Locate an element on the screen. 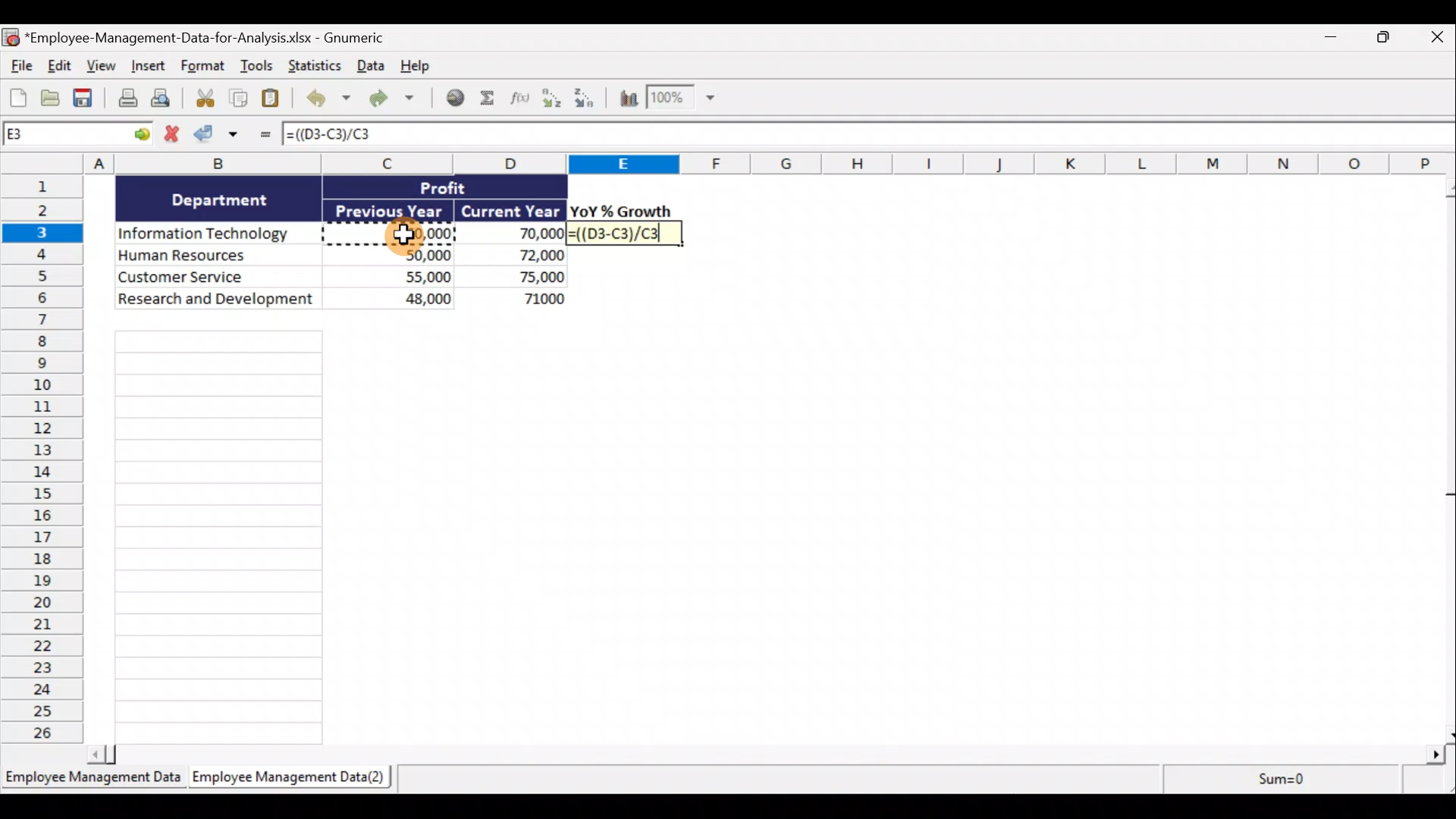  Maximise is located at coordinates (1389, 37).